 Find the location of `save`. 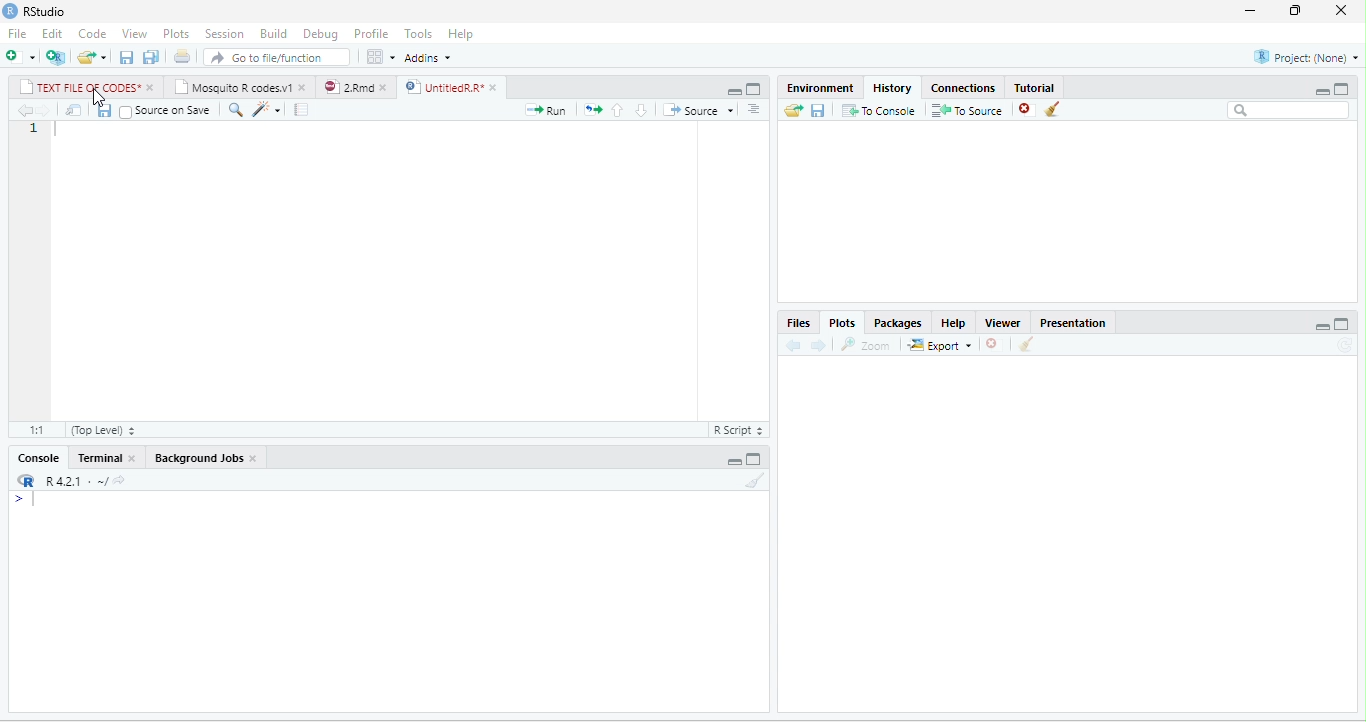

save is located at coordinates (819, 109).